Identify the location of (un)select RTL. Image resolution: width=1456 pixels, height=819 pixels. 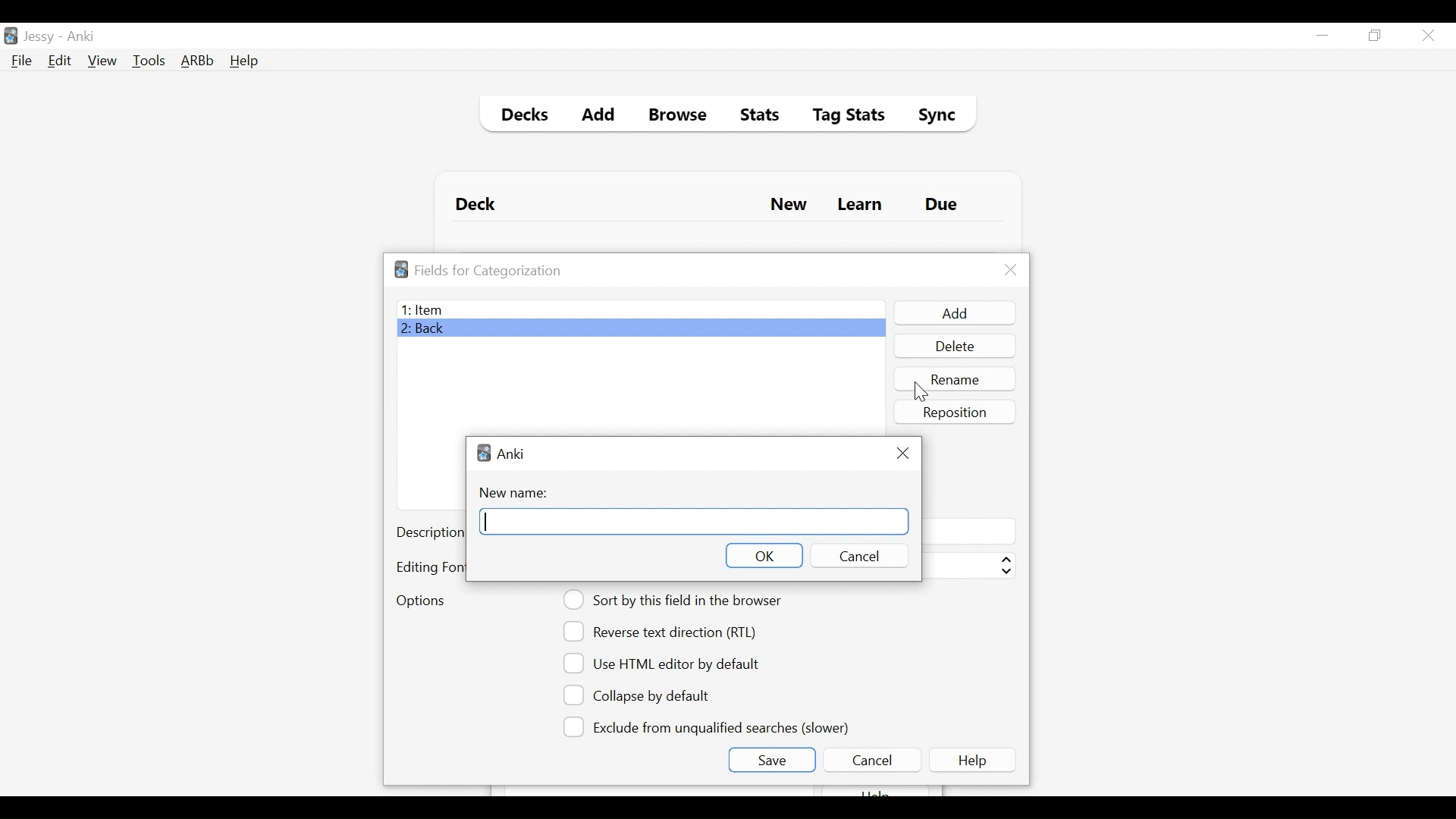
(667, 632).